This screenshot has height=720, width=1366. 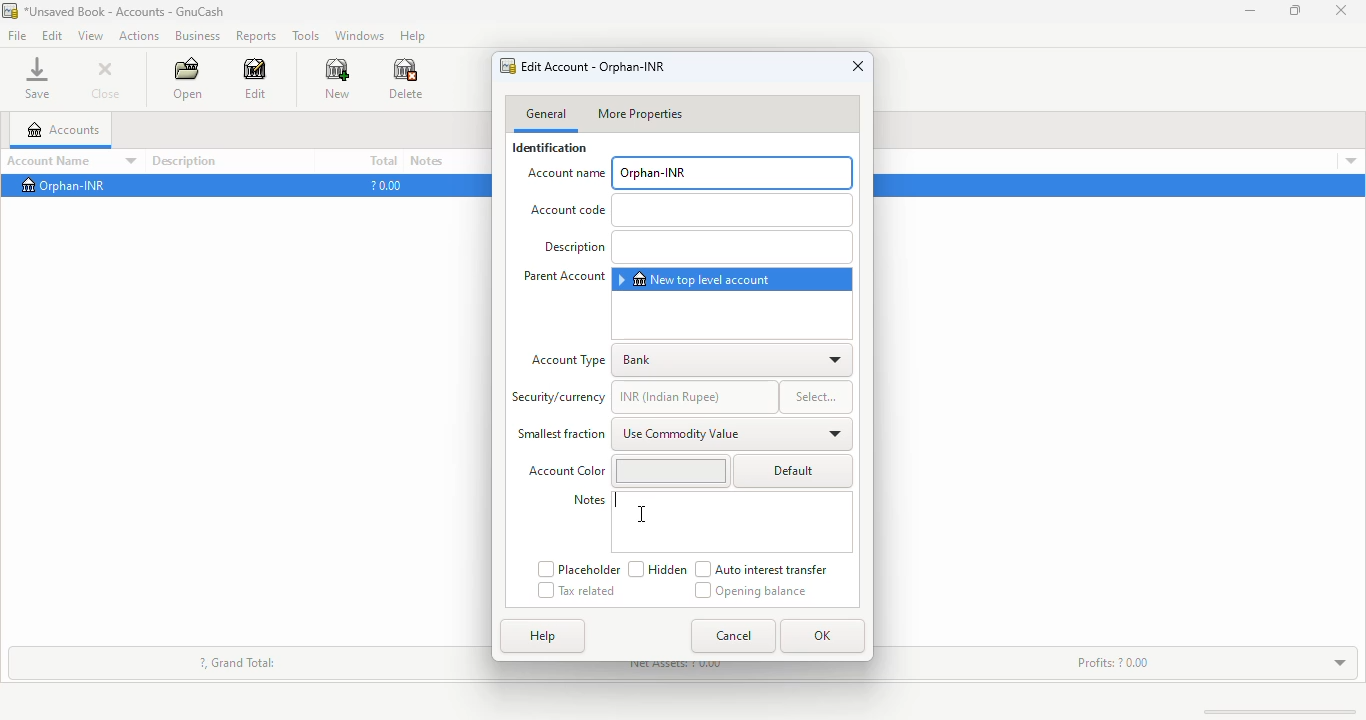 I want to click on hidden, so click(x=657, y=569).